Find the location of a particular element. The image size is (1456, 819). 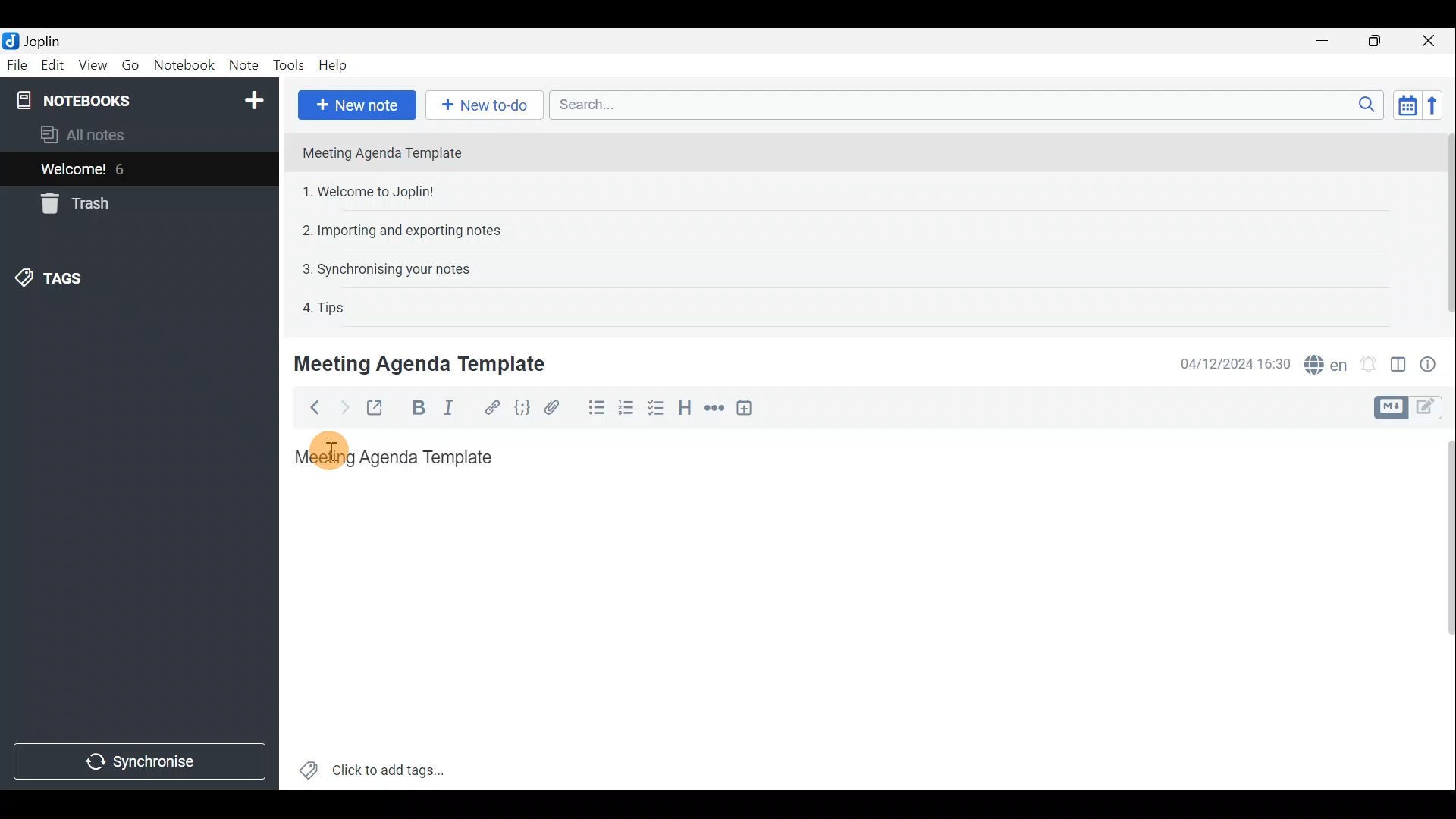

Italic is located at coordinates (453, 409).